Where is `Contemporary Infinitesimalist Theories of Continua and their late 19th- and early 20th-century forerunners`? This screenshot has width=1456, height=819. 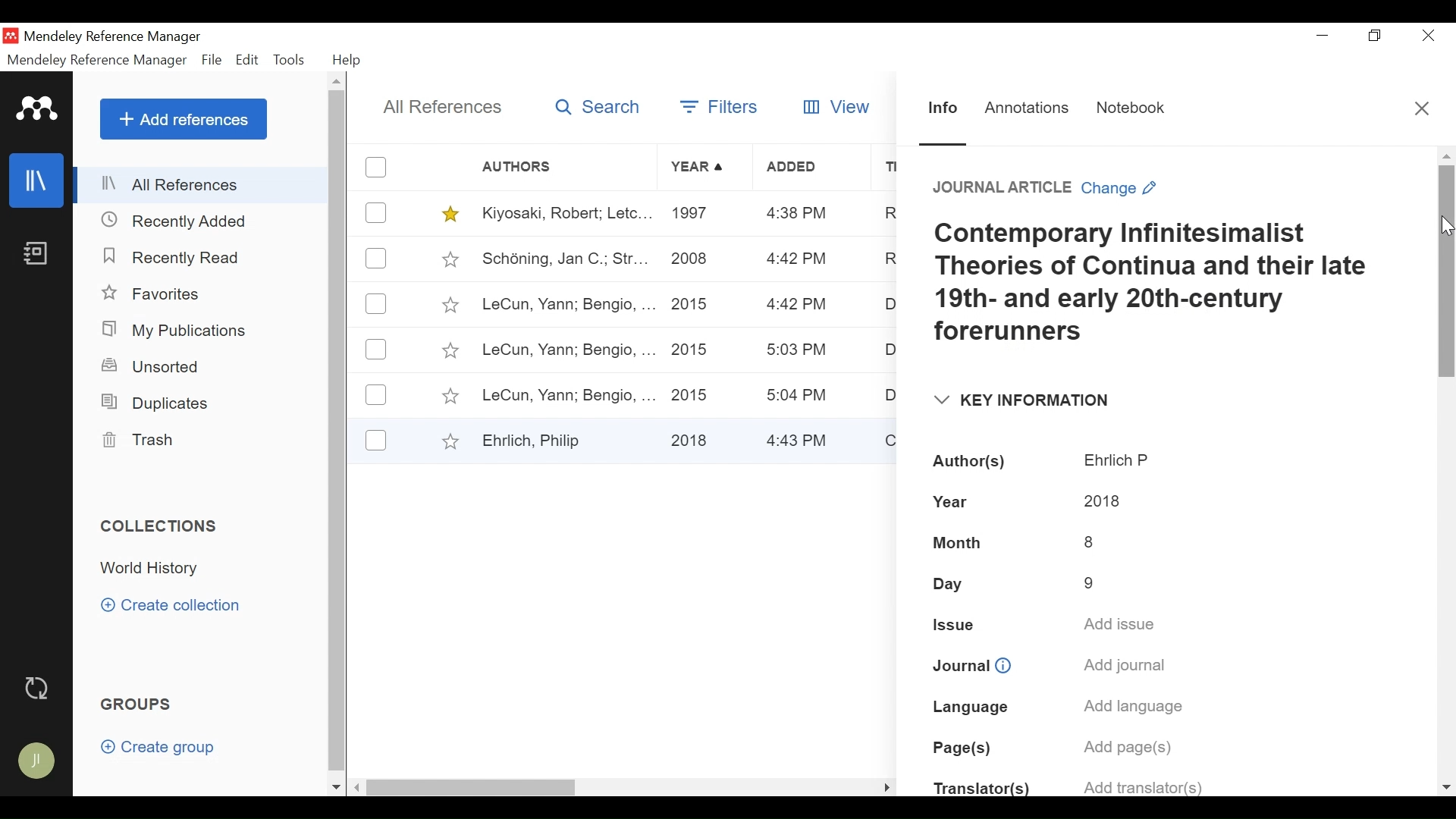
Contemporary Infinitesimalist Theories of Continua and their late 19th- and early 20th-century forerunners is located at coordinates (1153, 285).